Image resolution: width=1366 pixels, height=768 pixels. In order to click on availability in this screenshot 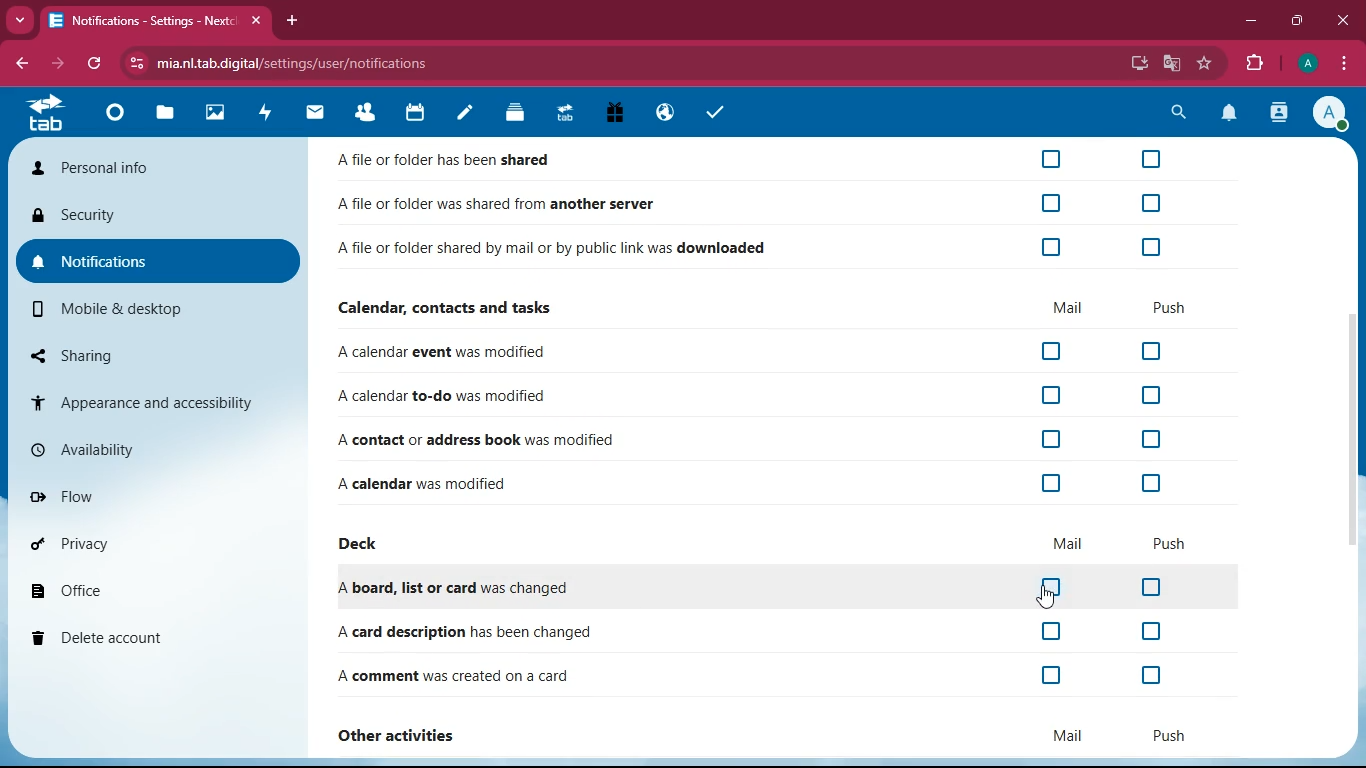, I will do `click(156, 447)`.